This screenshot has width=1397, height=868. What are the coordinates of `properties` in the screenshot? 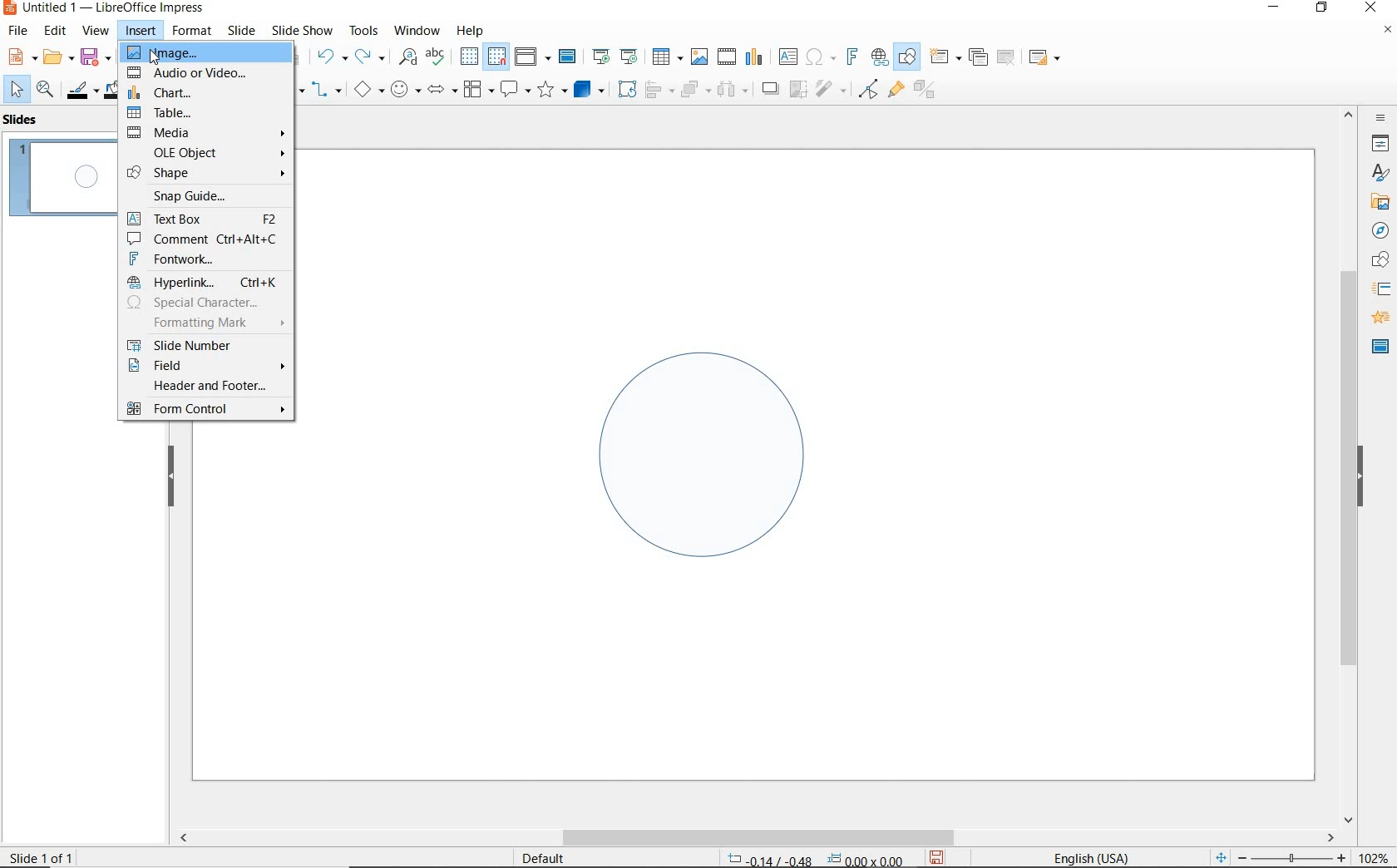 It's located at (1379, 143).